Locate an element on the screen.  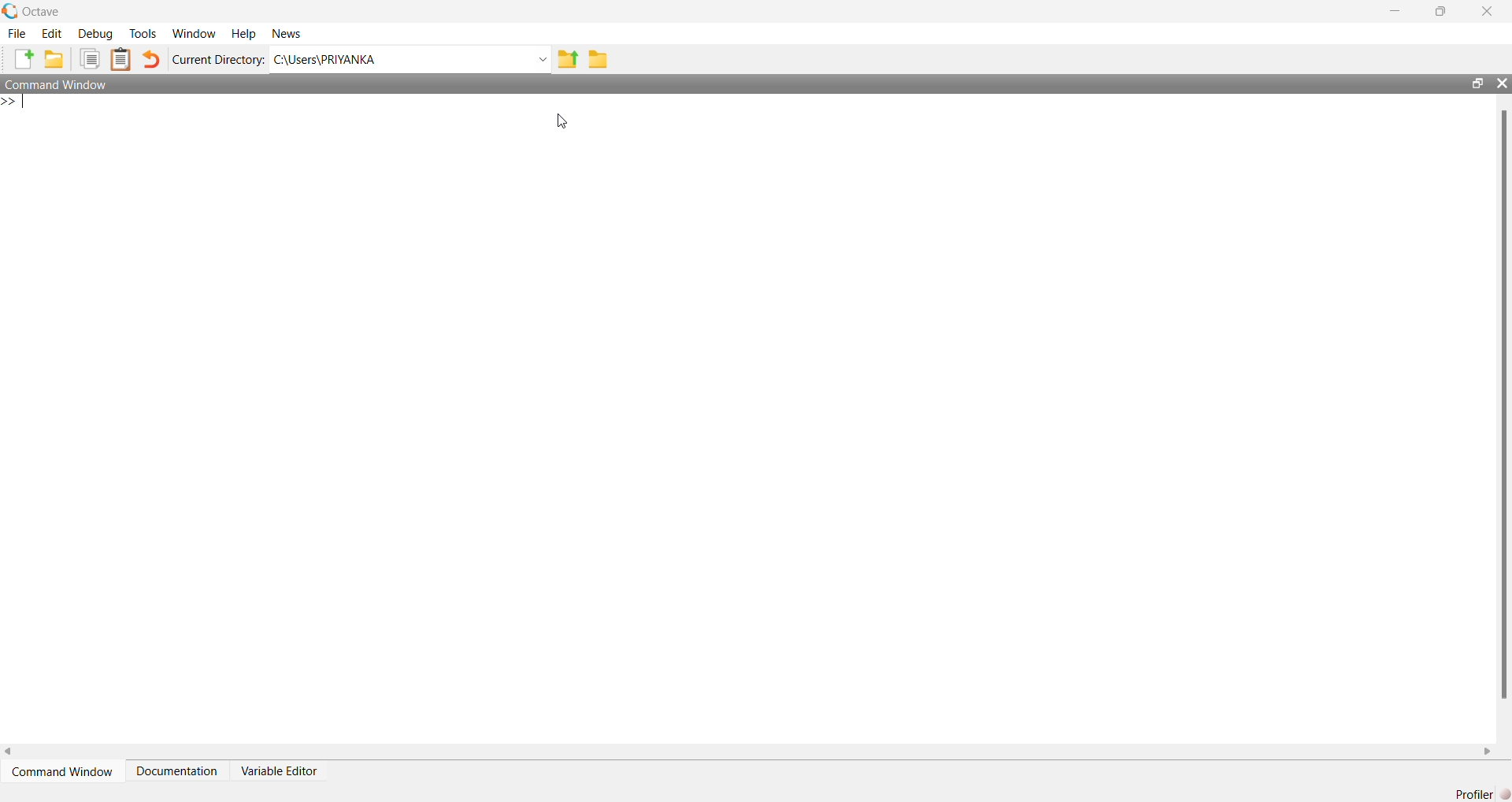
profiler is located at coordinates (1477, 795).